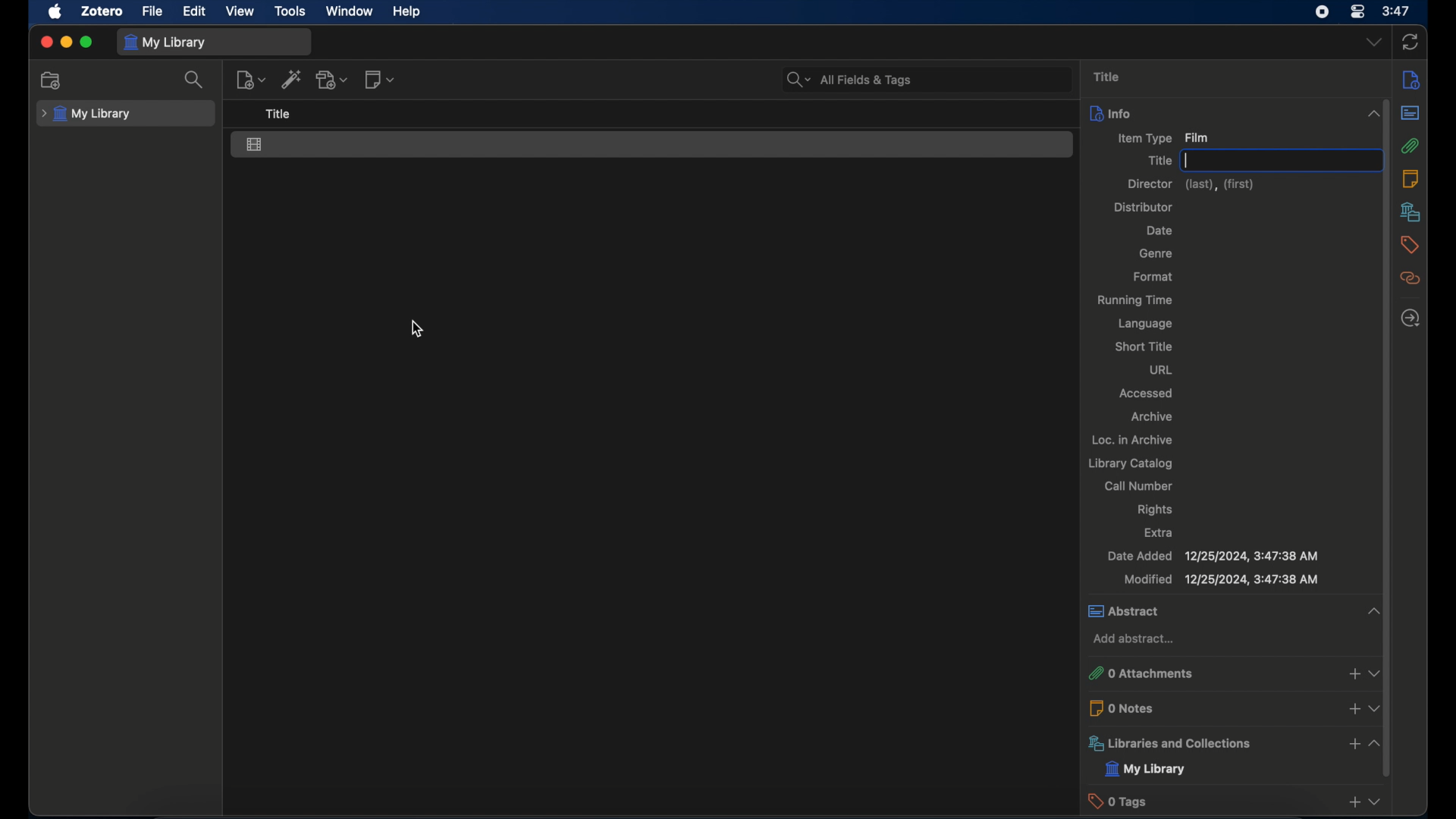 Image resolution: width=1456 pixels, height=819 pixels. I want to click on text cursor, so click(1187, 160).